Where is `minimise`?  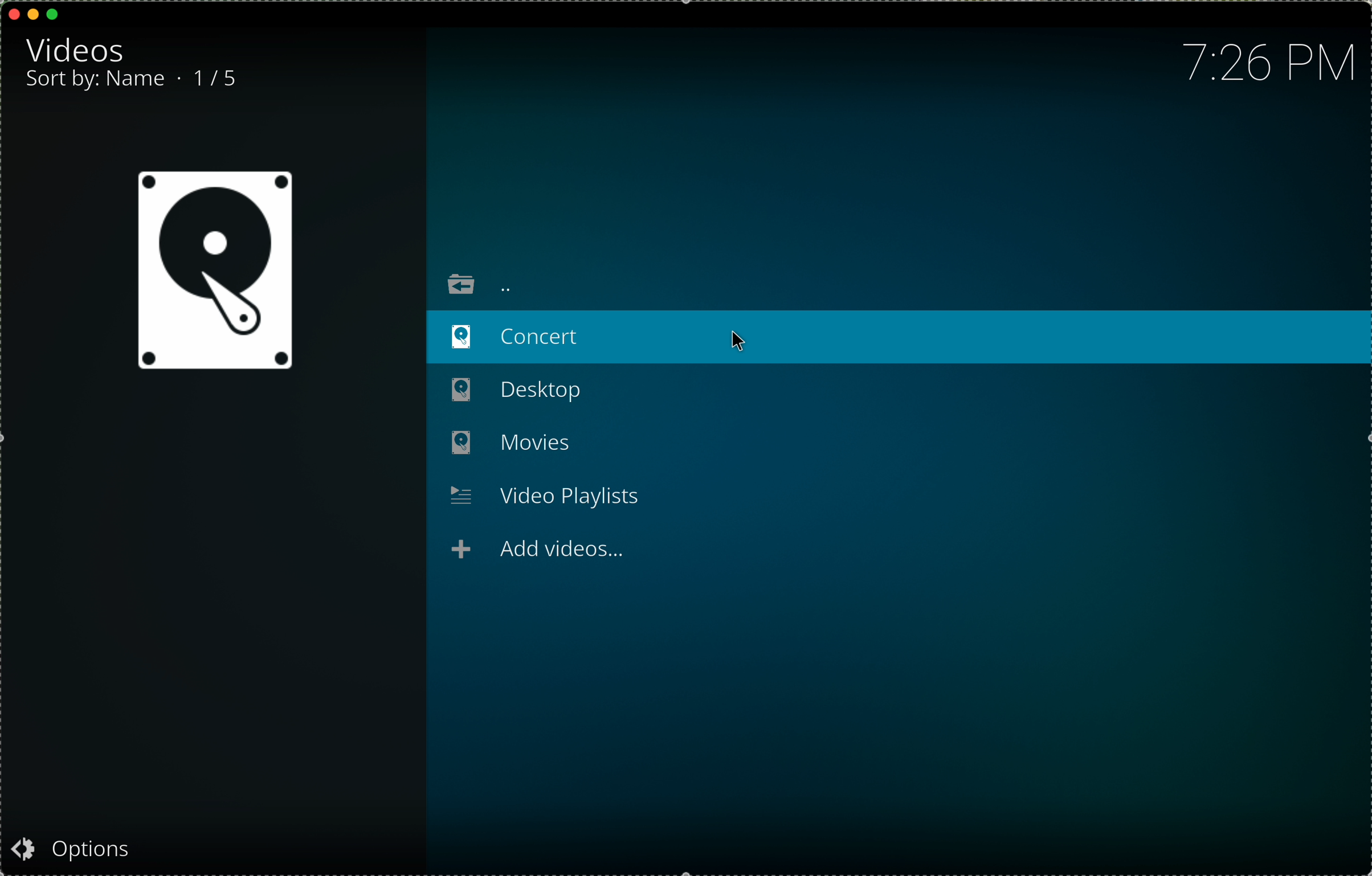 minimise is located at coordinates (33, 13).